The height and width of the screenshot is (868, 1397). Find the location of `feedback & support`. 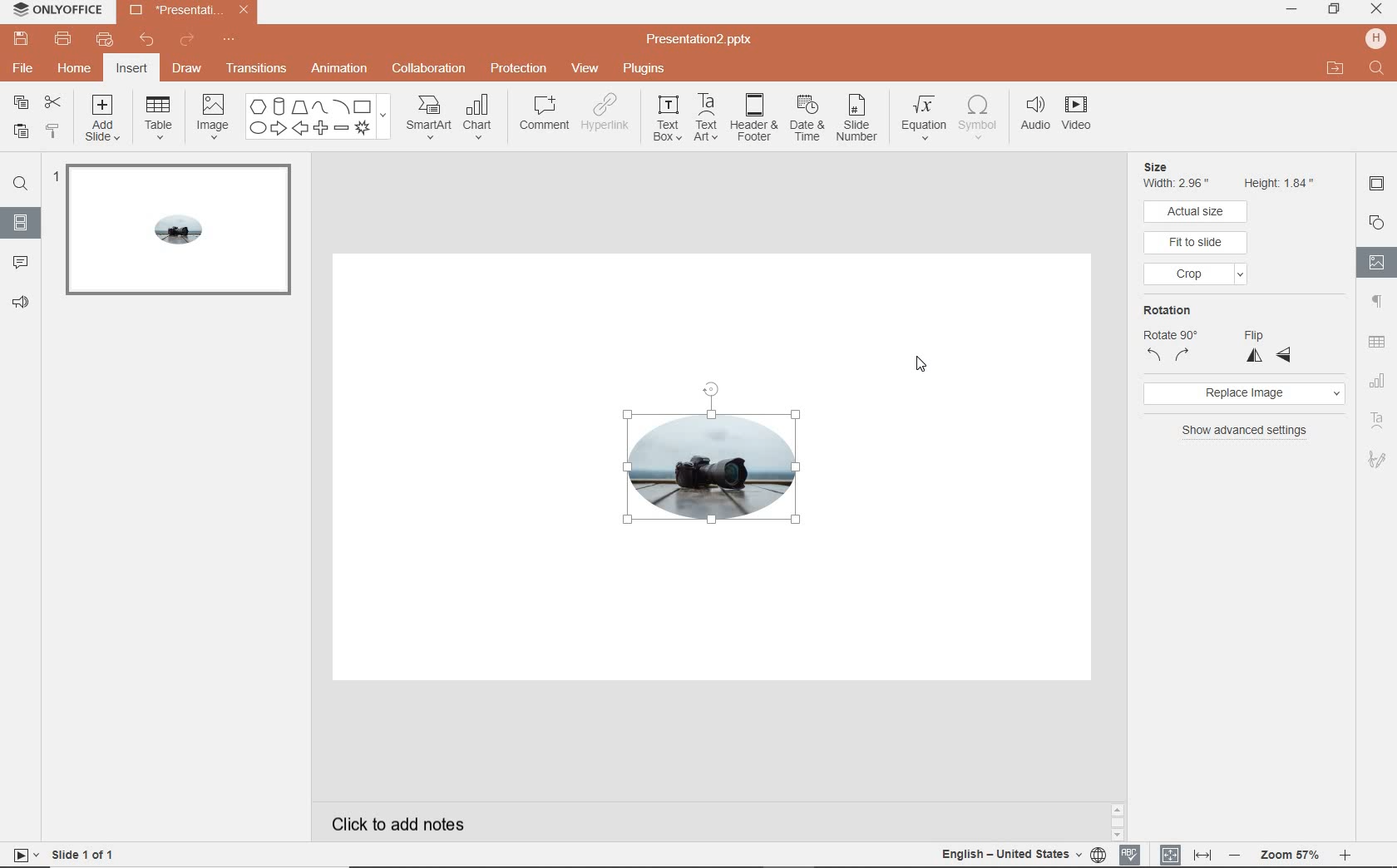

feedback & support is located at coordinates (21, 303).